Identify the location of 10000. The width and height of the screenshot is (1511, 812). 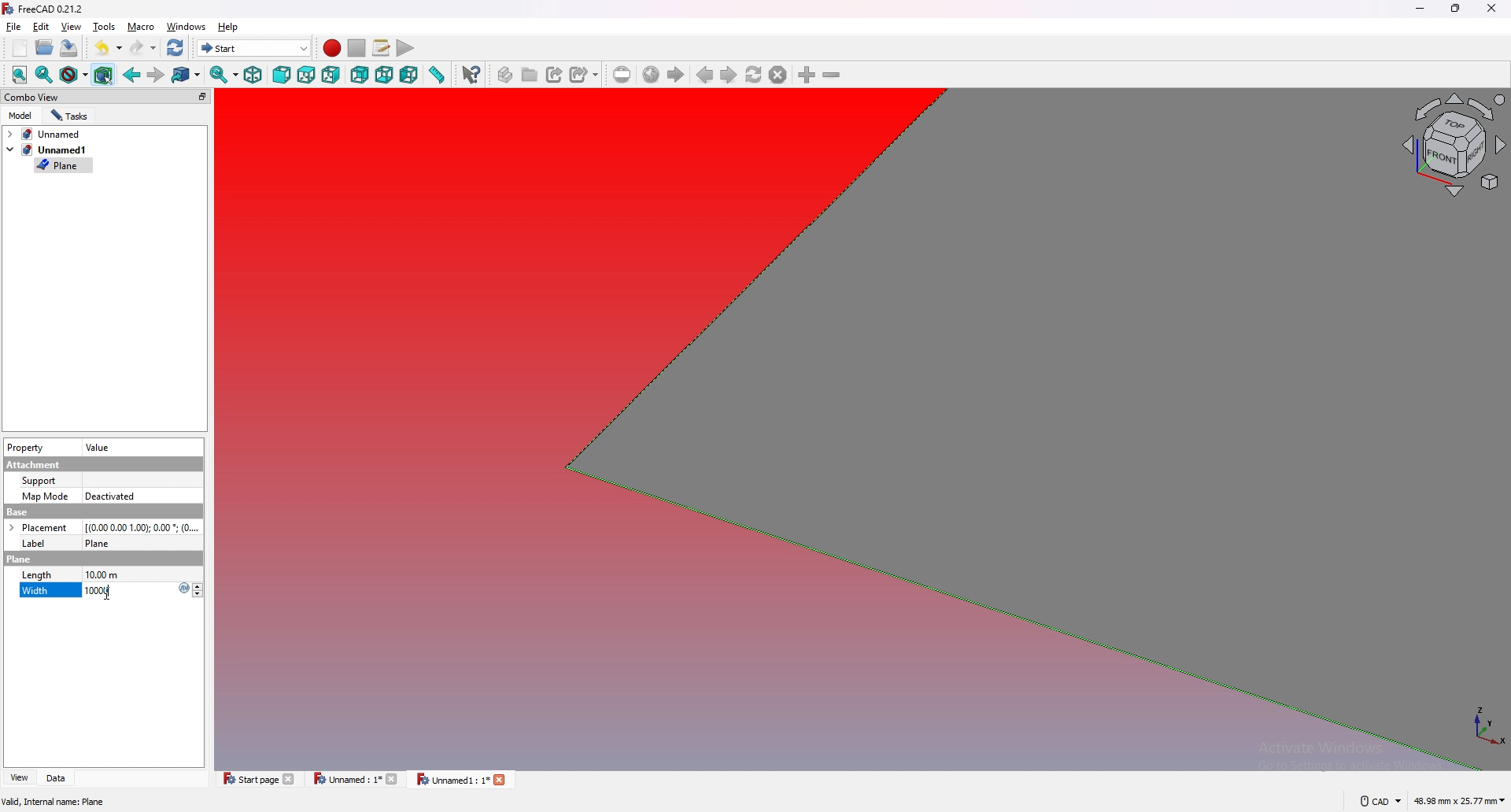
(143, 591).